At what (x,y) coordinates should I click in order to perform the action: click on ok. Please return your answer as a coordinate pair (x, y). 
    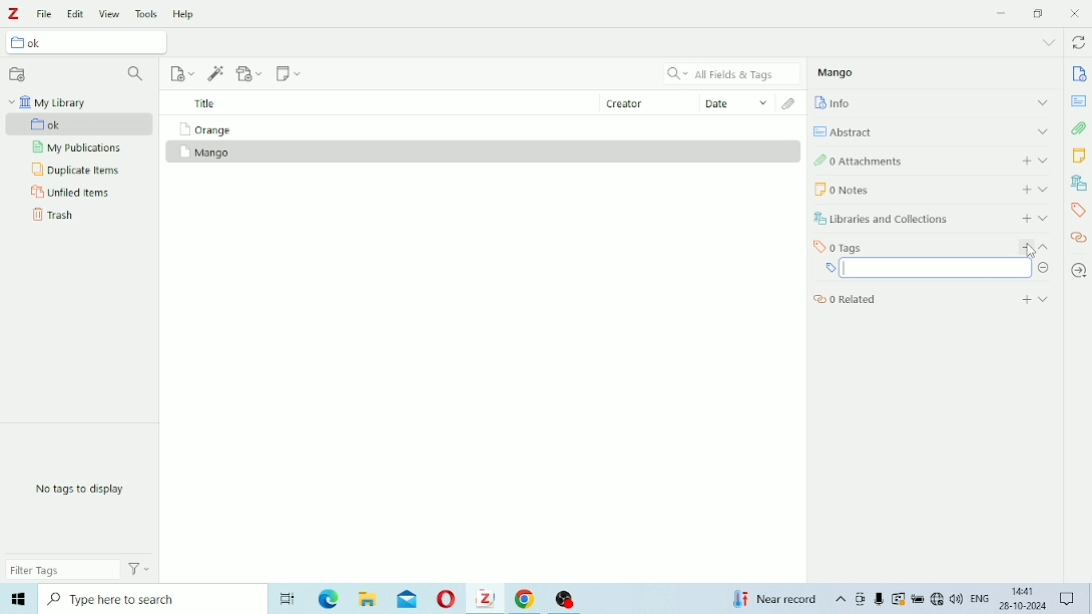
    Looking at the image, I should click on (81, 124).